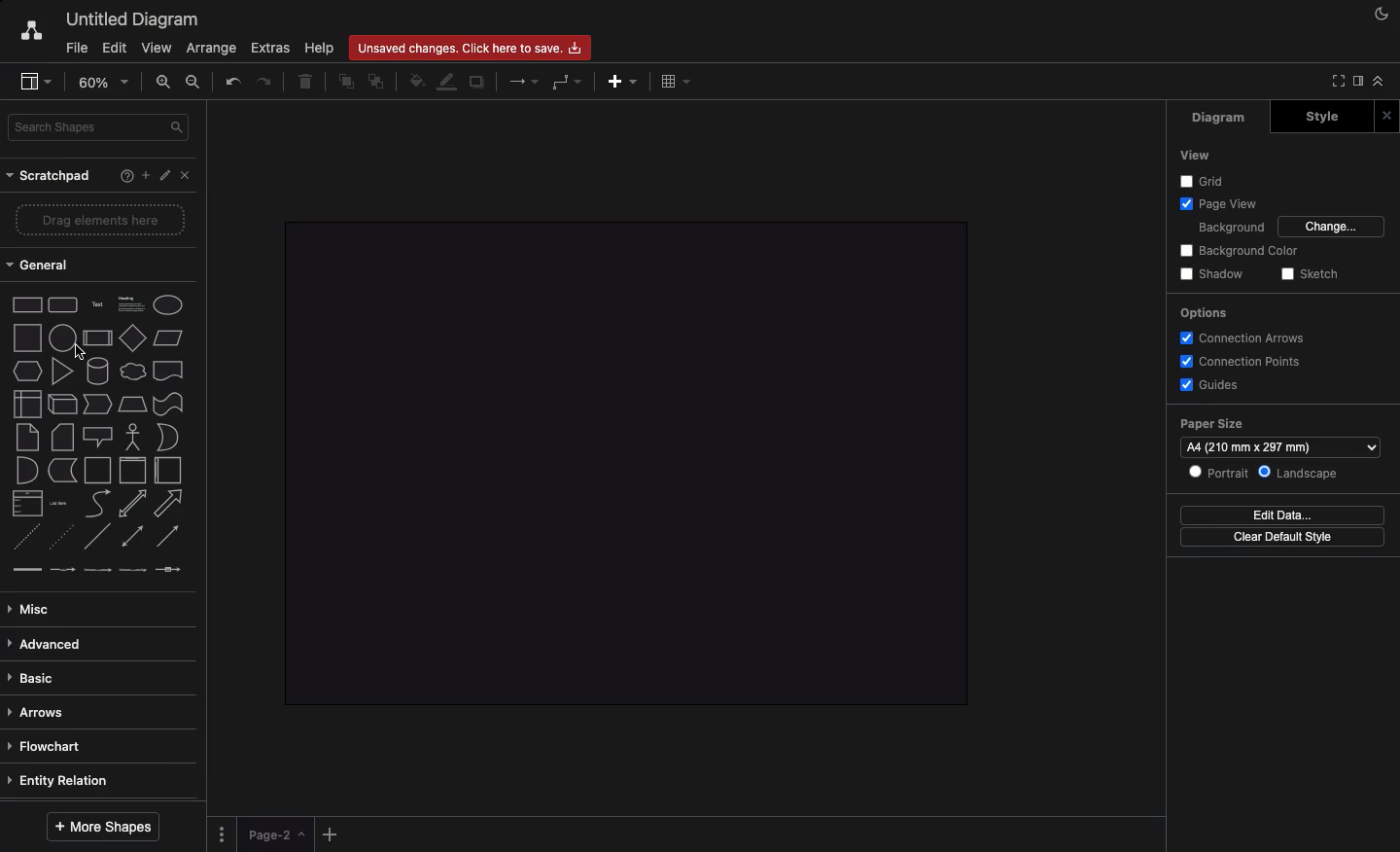 The image size is (1400, 852). What do you see at coordinates (164, 83) in the screenshot?
I see `Zoom in` at bounding box center [164, 83].